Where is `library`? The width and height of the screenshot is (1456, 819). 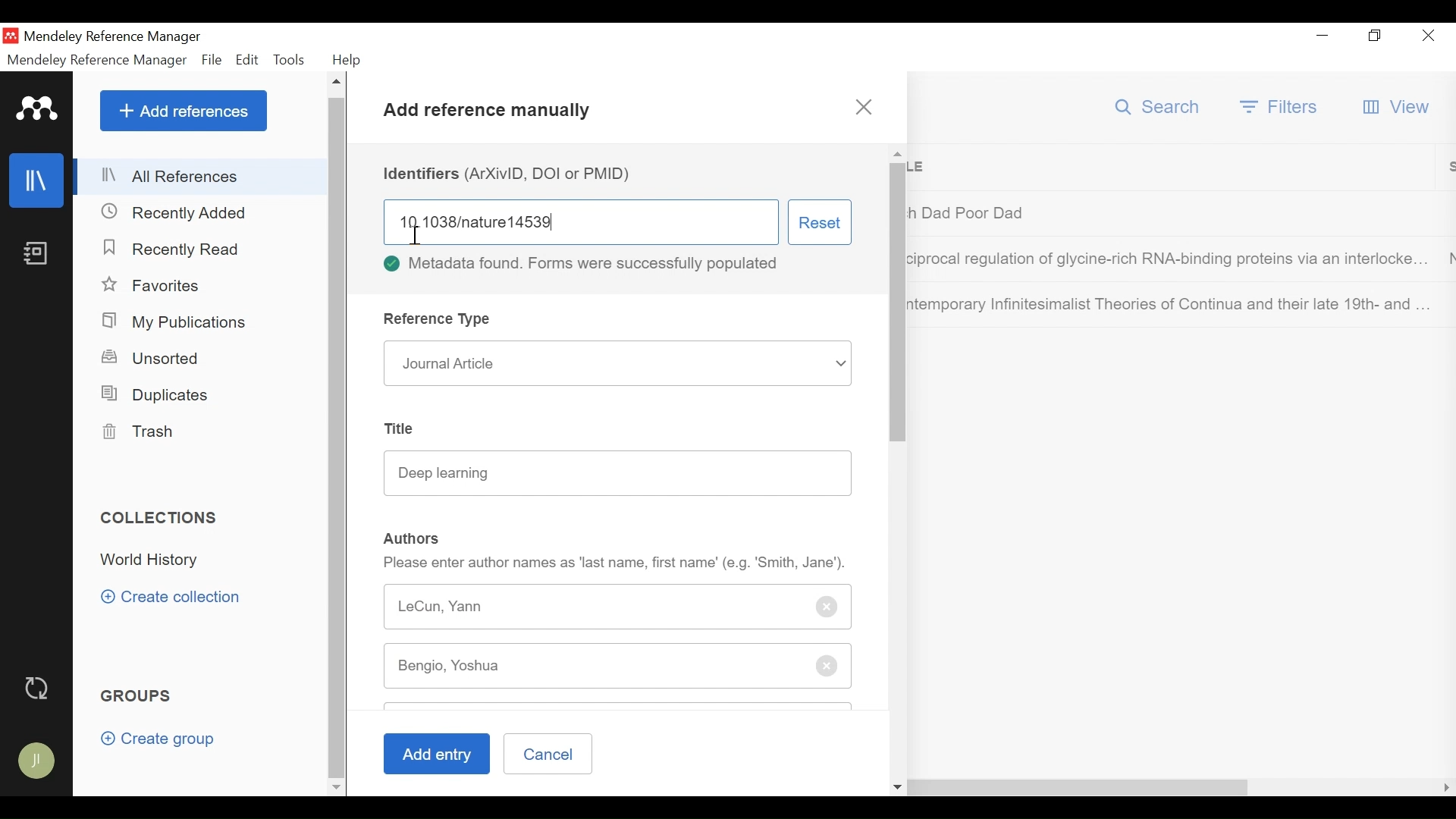 library is located at coordinates (38, 180).